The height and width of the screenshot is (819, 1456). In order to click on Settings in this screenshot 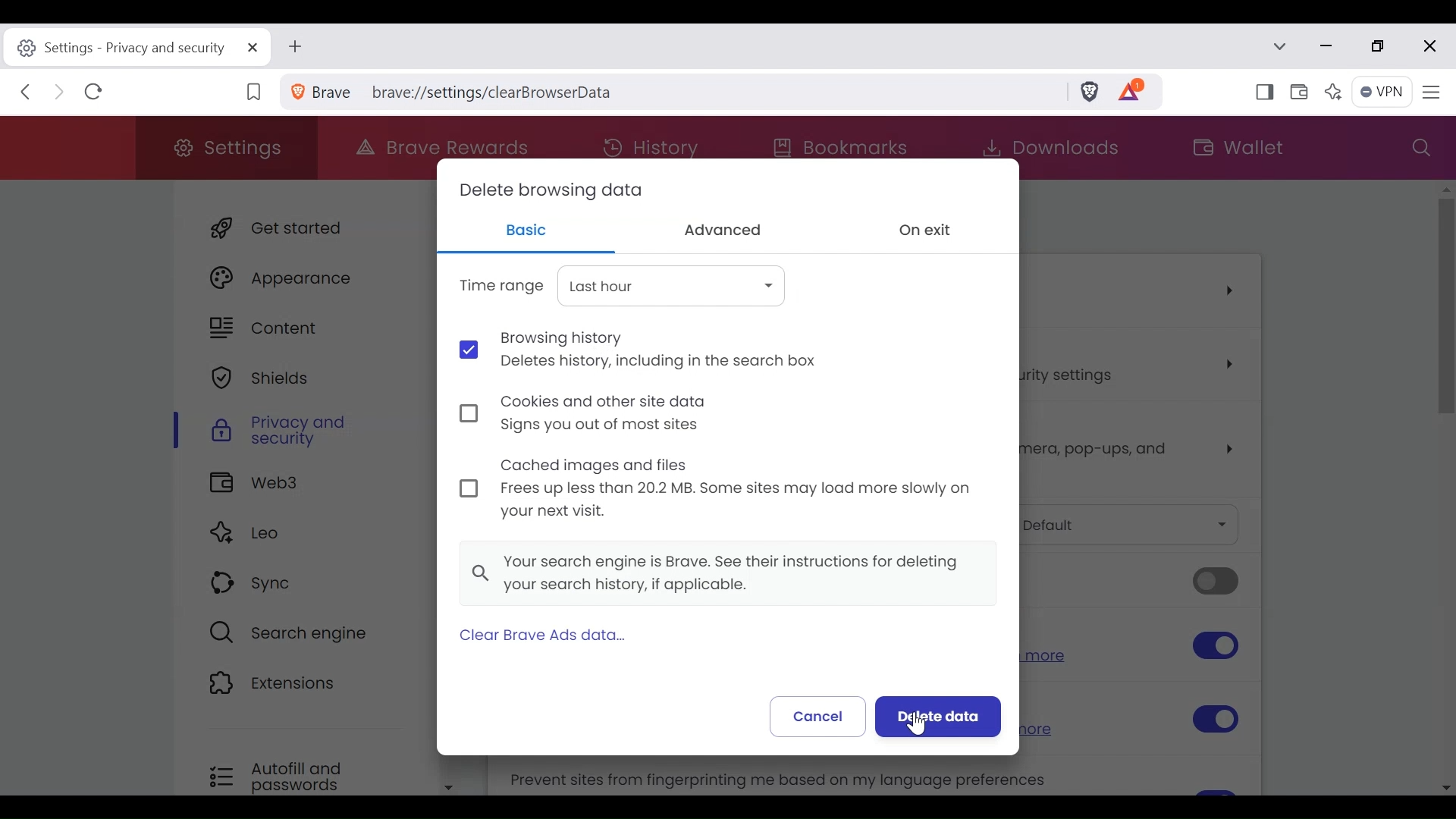, I will do `click(228, 147)`.